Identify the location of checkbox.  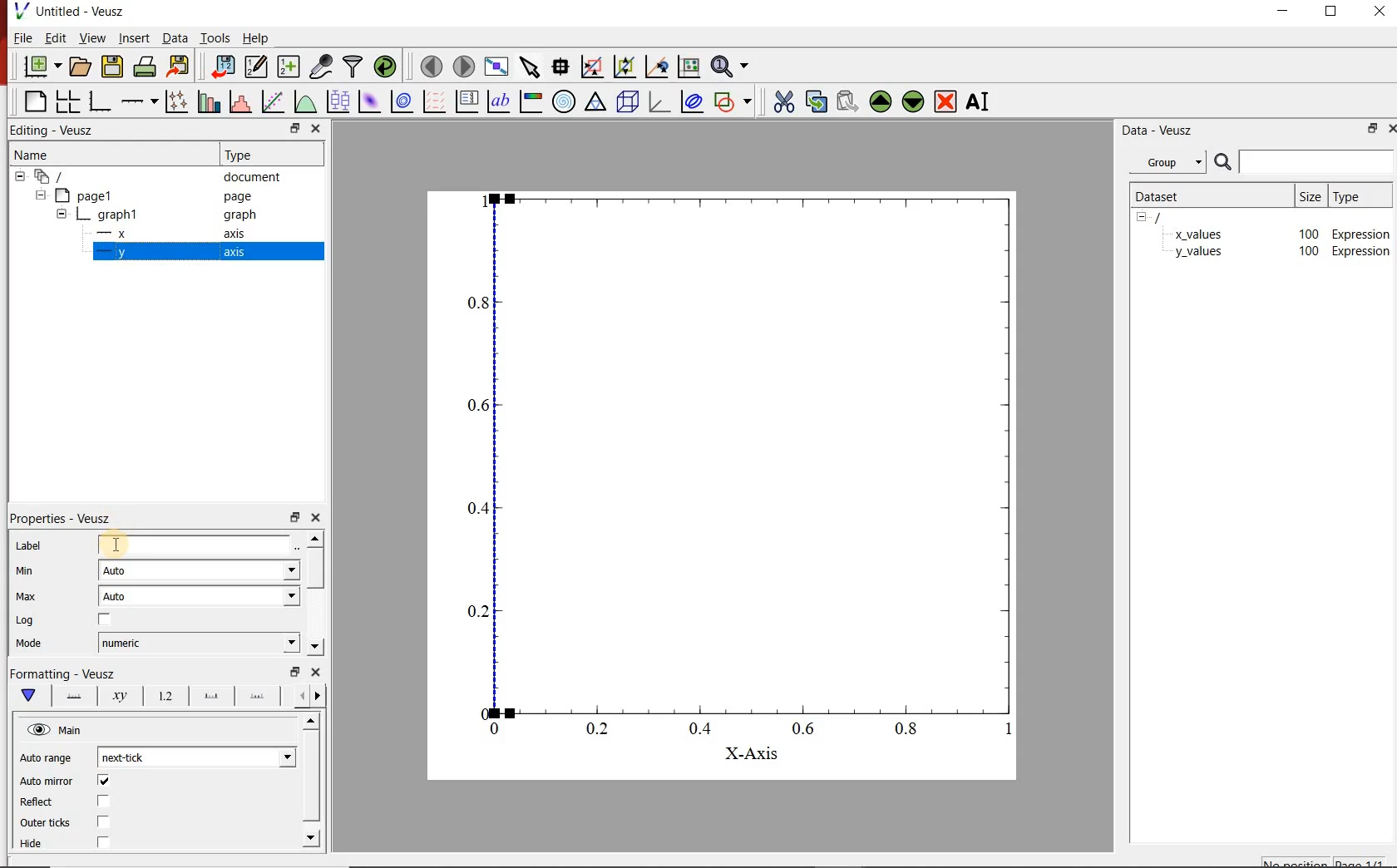
(105, 800).